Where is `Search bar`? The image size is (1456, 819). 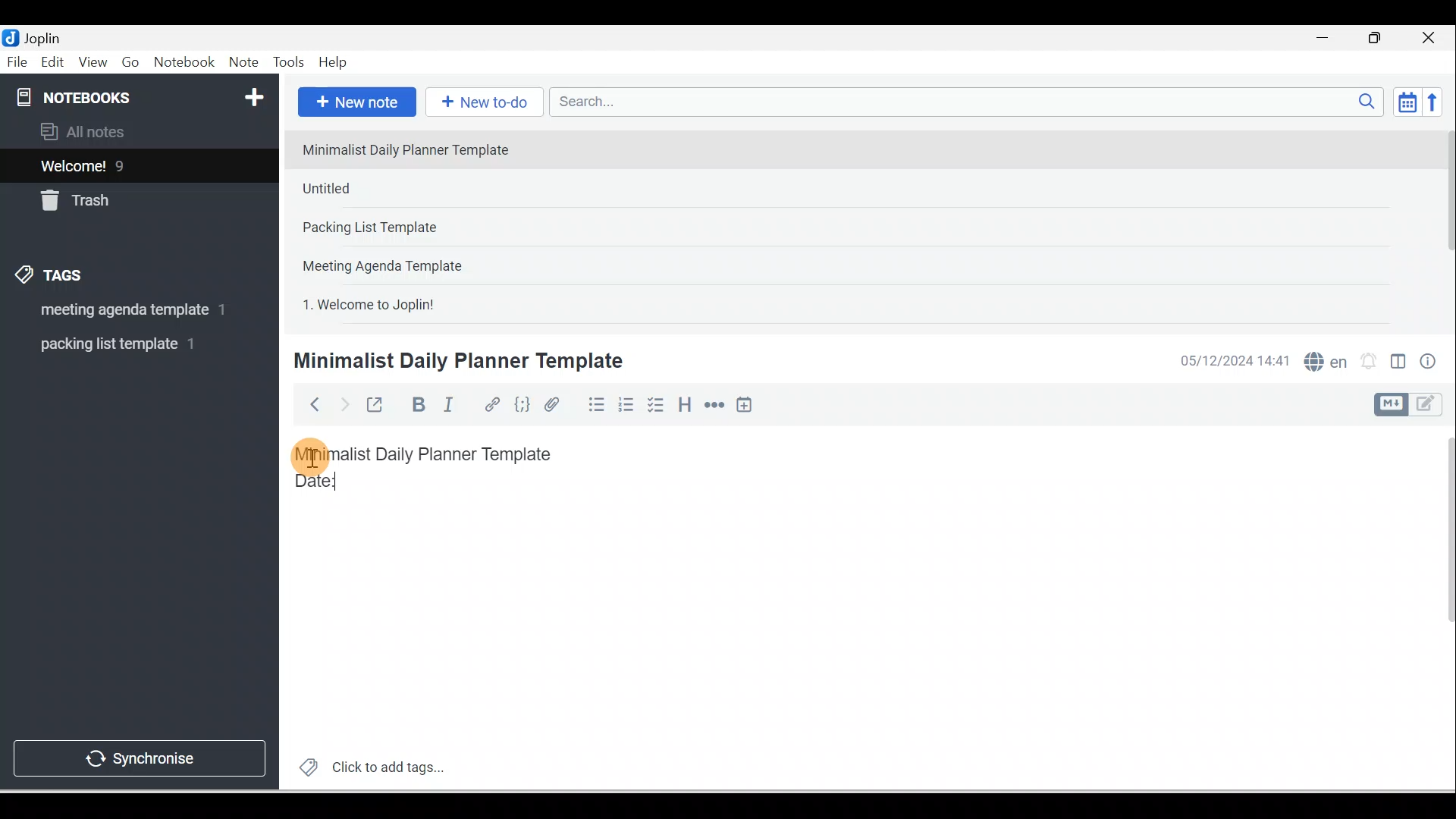 Search bar is located at coordinates (971, 102).